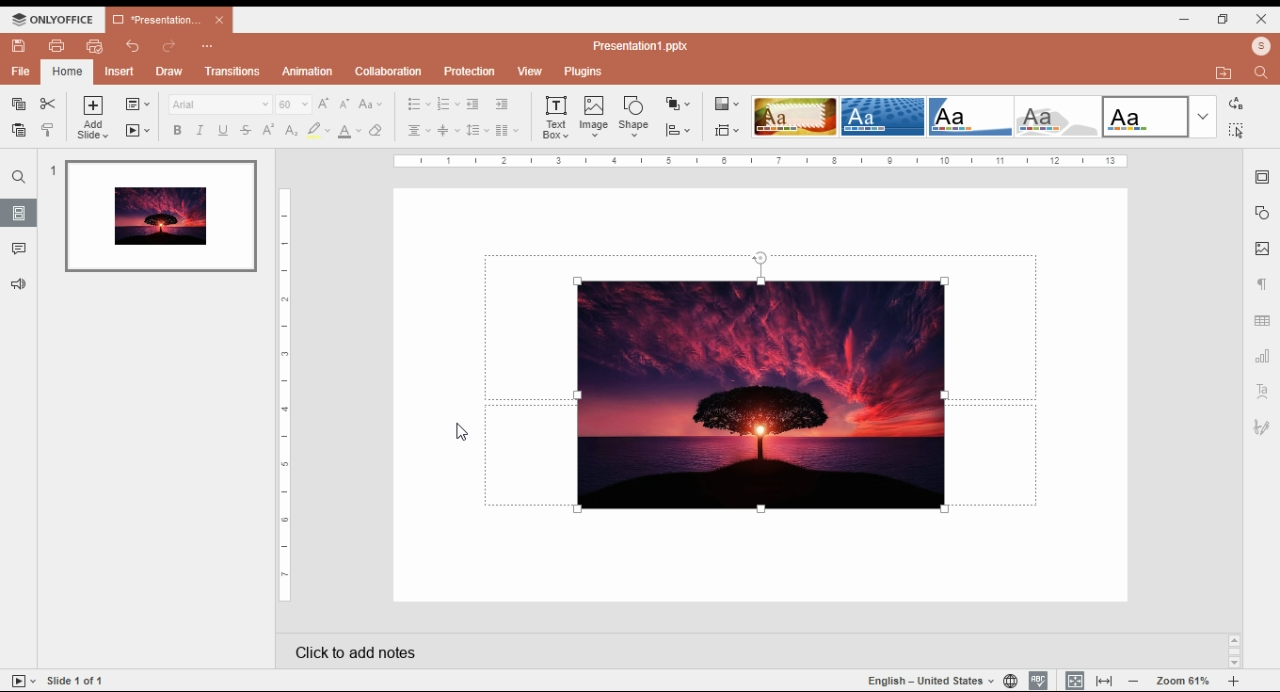  What do you see at coordinates (171, 45) in the screenshot?
I see `redo` at bounding box center [171, 45].